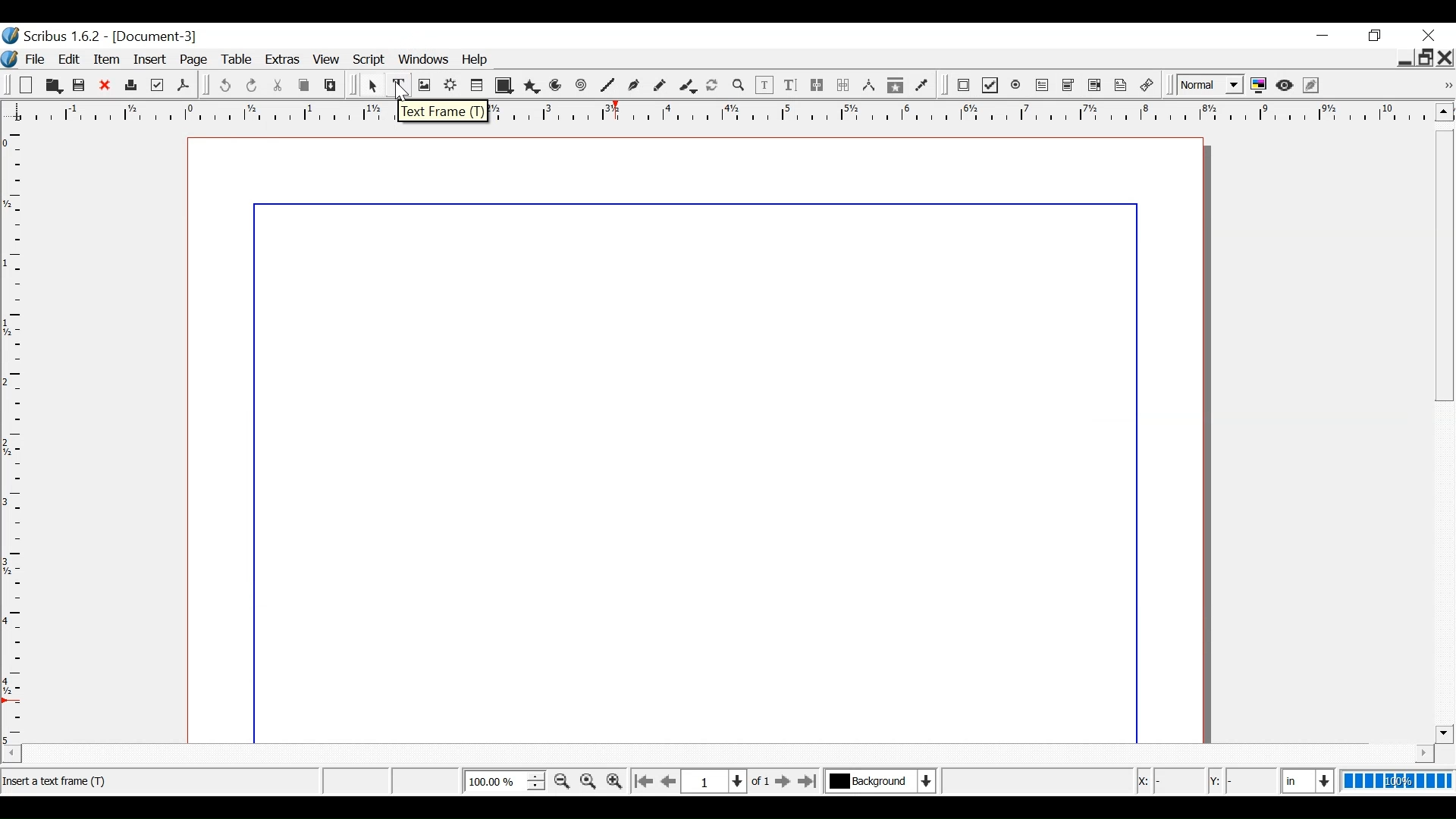 The image size is (1456, 819). I want to click on Copy items properties, so click(895, 86).